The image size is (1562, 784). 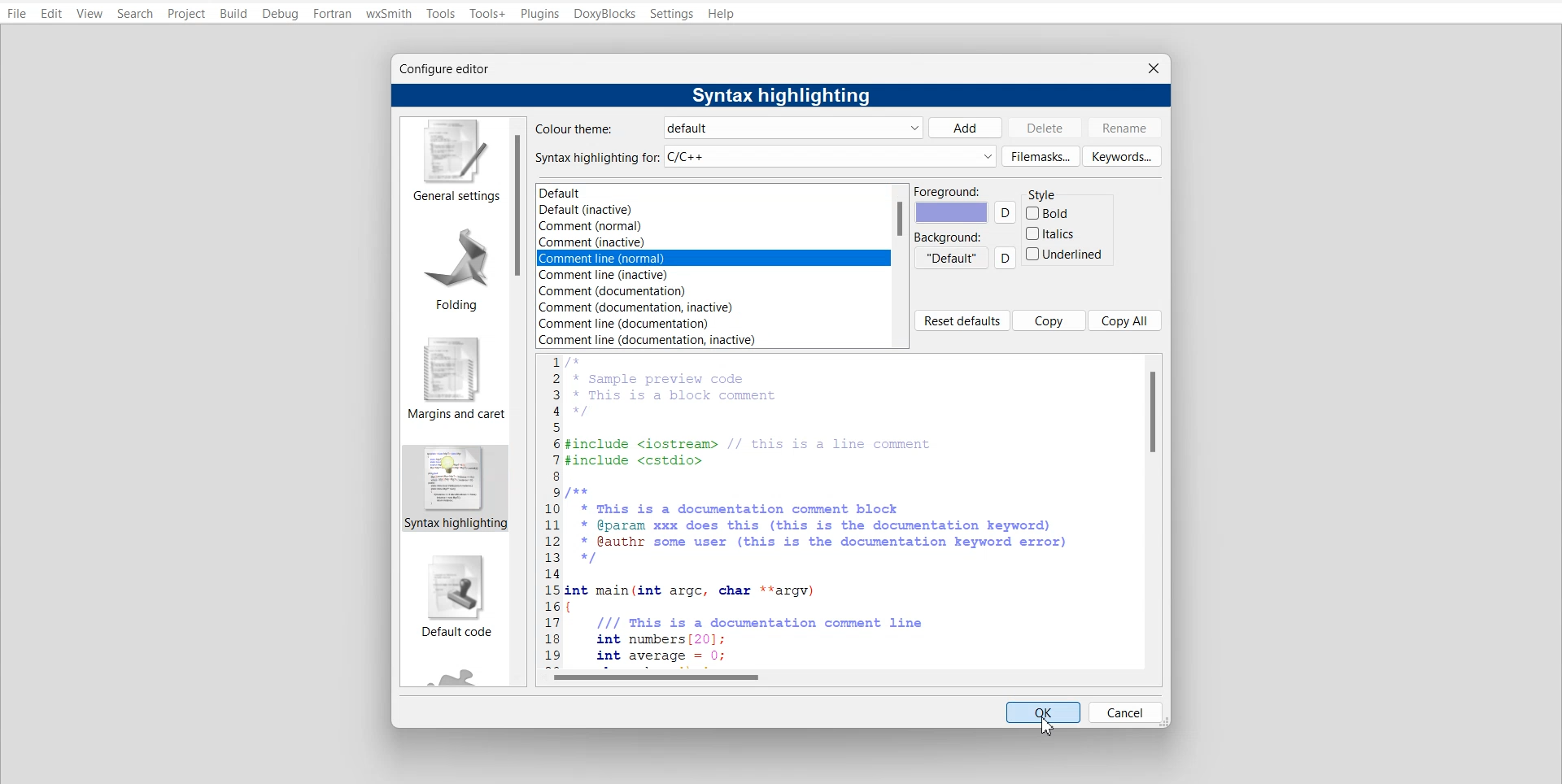 What do you see at coordinates (452, 597) in the screenshot?
I see `Default code` at bounding box center [452, 597].